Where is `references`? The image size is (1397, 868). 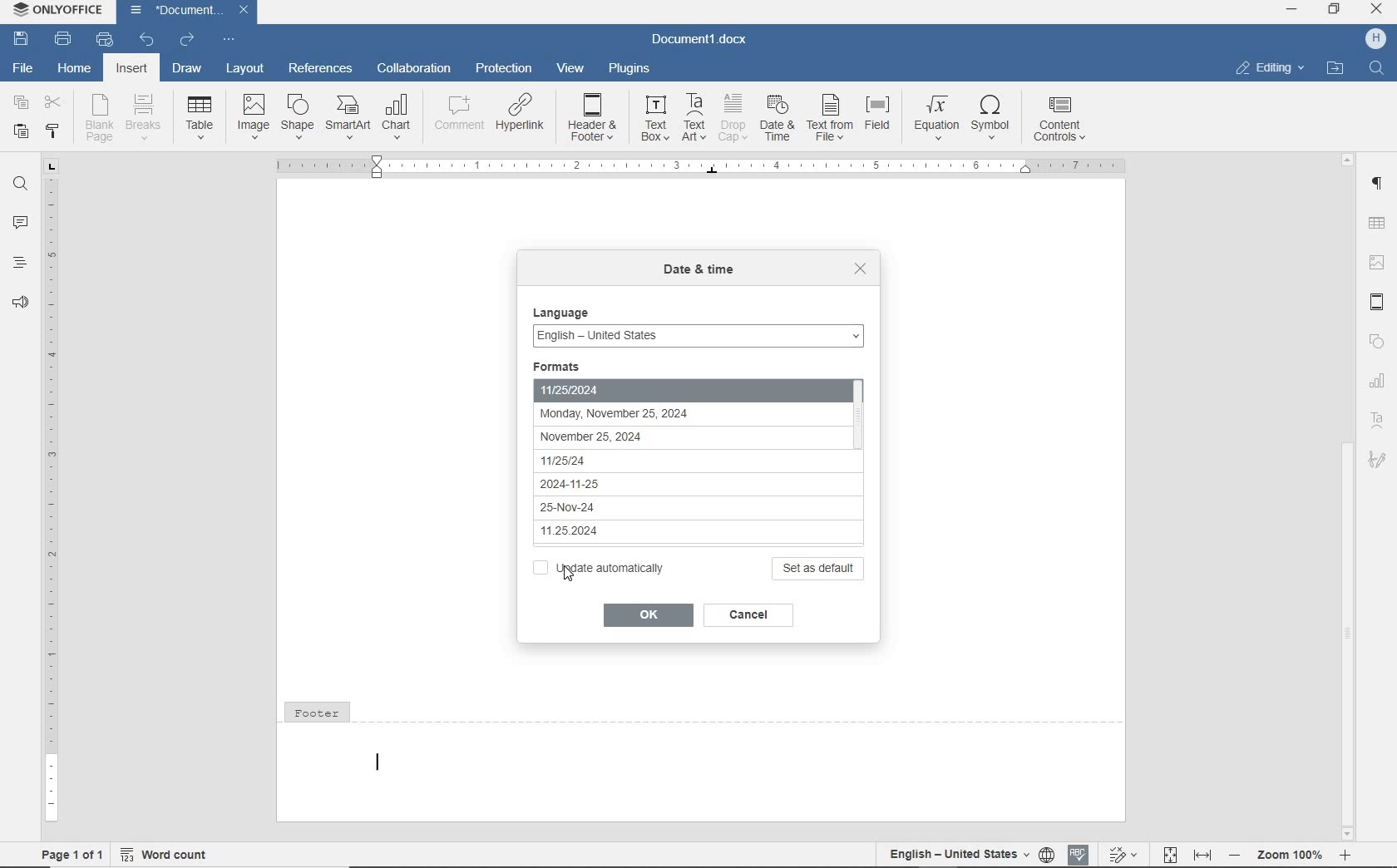 references is located at coordinates (321, 67).